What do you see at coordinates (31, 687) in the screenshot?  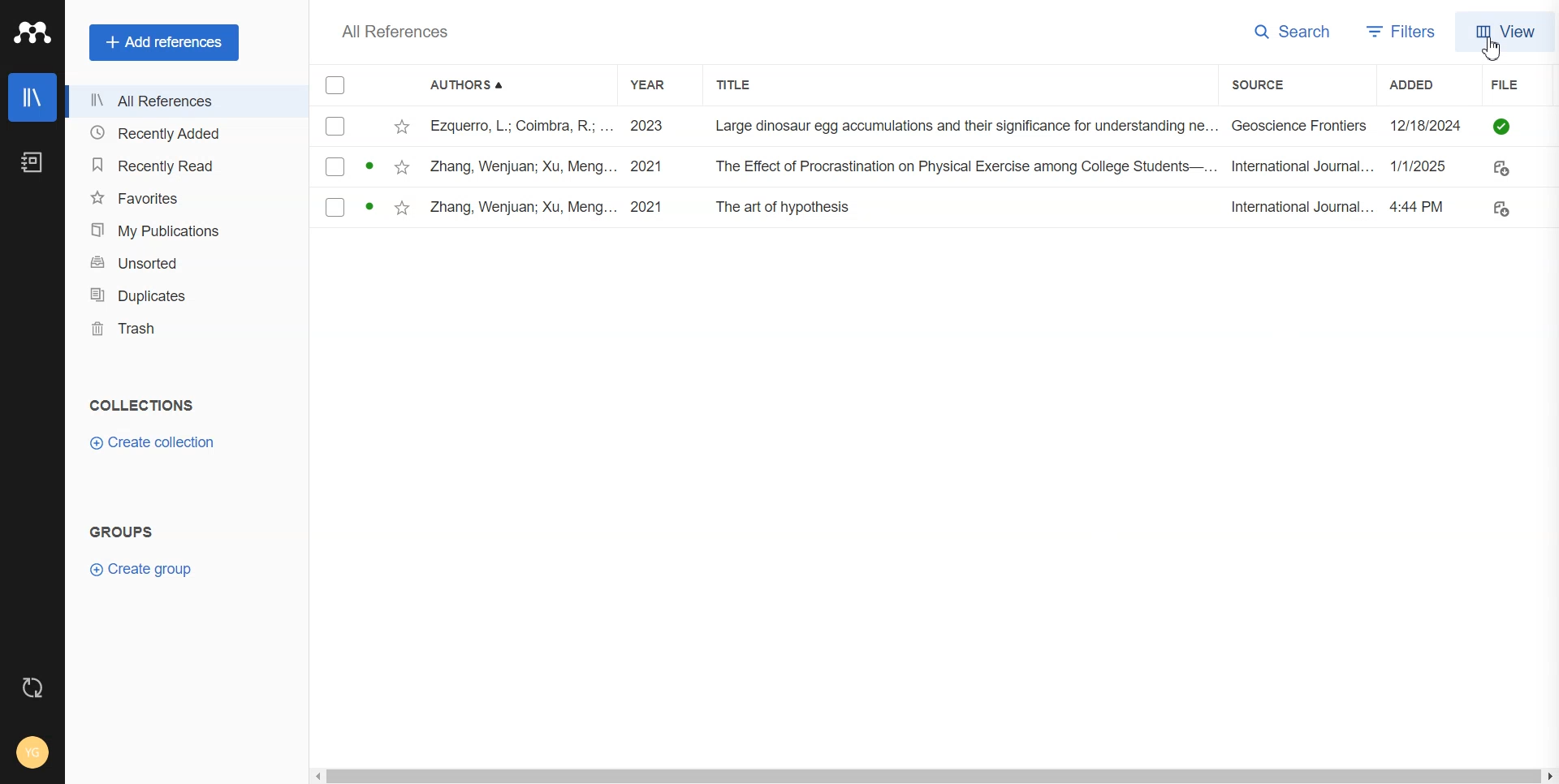 I see `Auto sync` at bounding box center [31, 687].